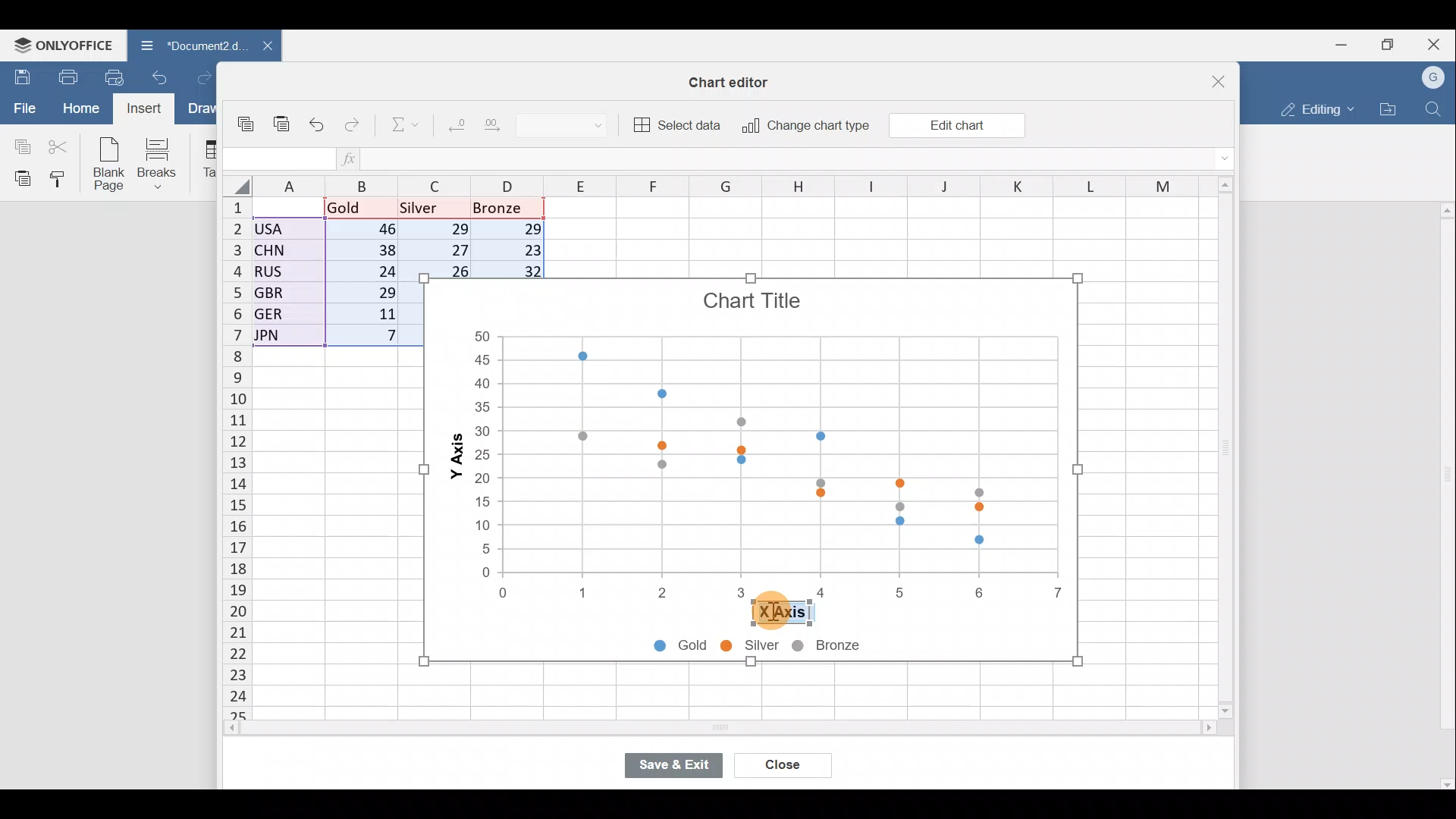  Describe the element at coordinates (19, 75) in the screenshot. I see `Save` at that location.